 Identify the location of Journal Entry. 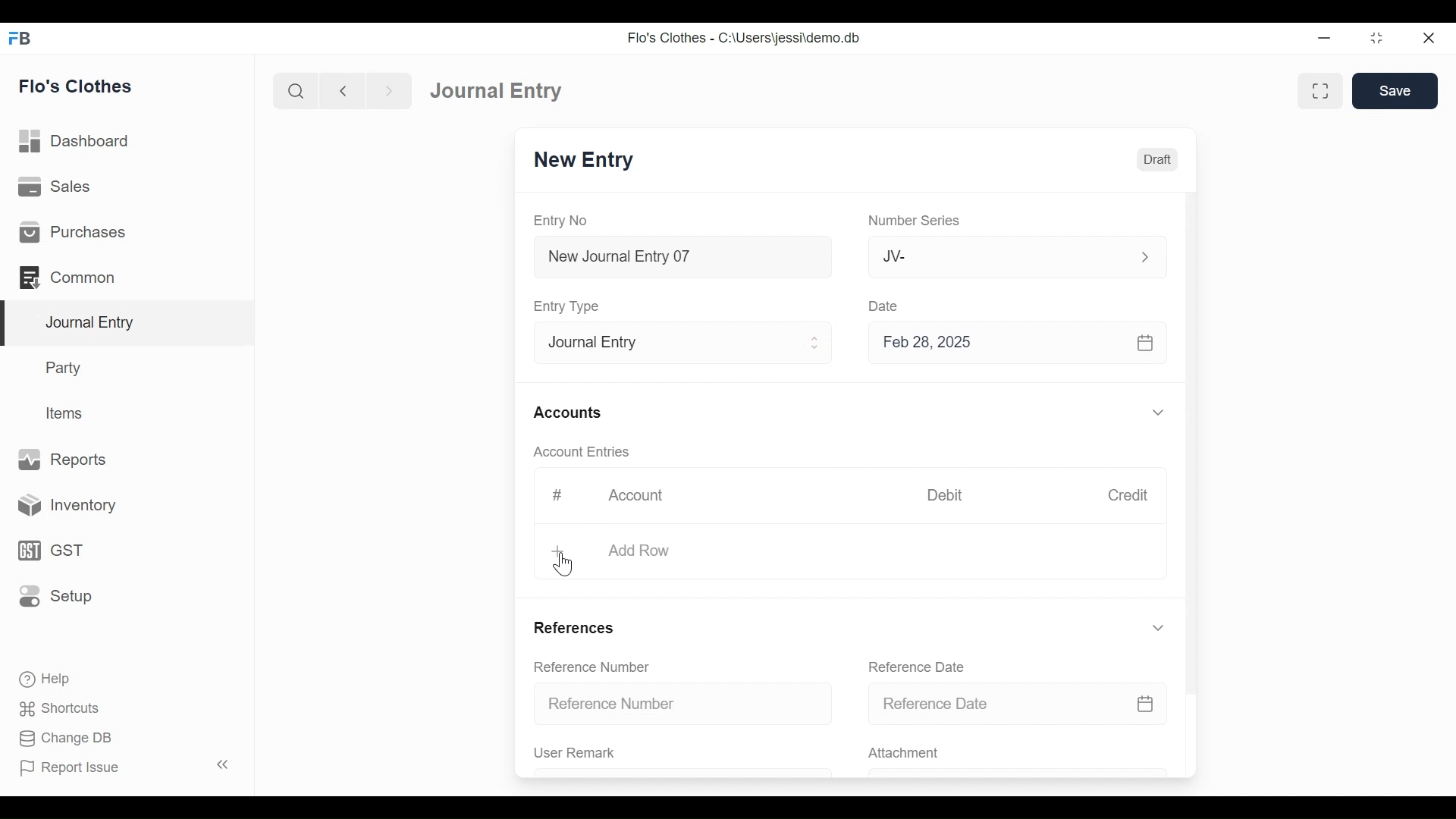
(502, 90).